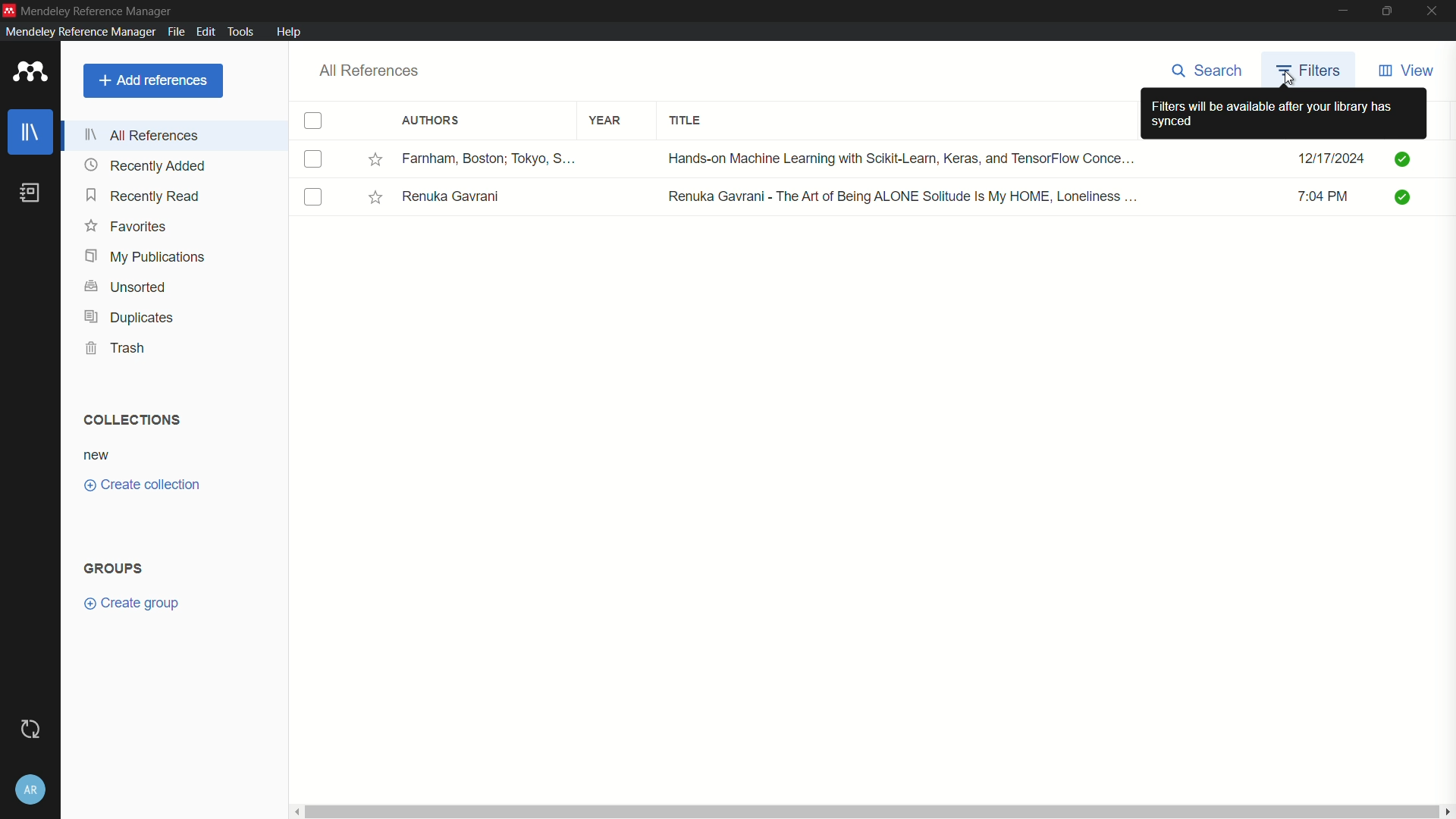 This screenshot has height=819, width=1456. What do you see at coordinates (130, 603) in the screenshot?
I see `create group` at bounding box center [130, 603].